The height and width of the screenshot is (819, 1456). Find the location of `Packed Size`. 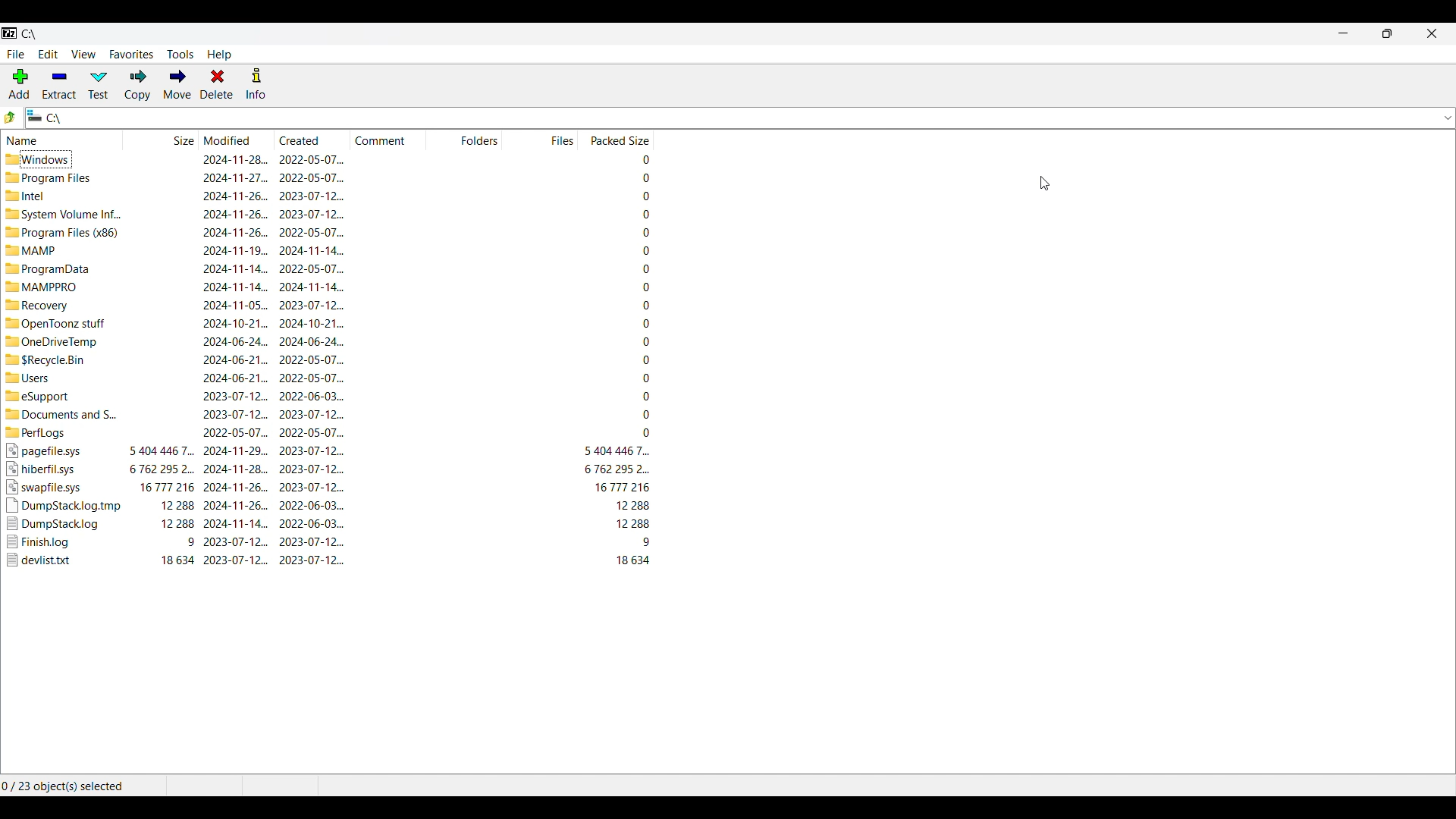

Packed Size is located at coordinates (617, 361).